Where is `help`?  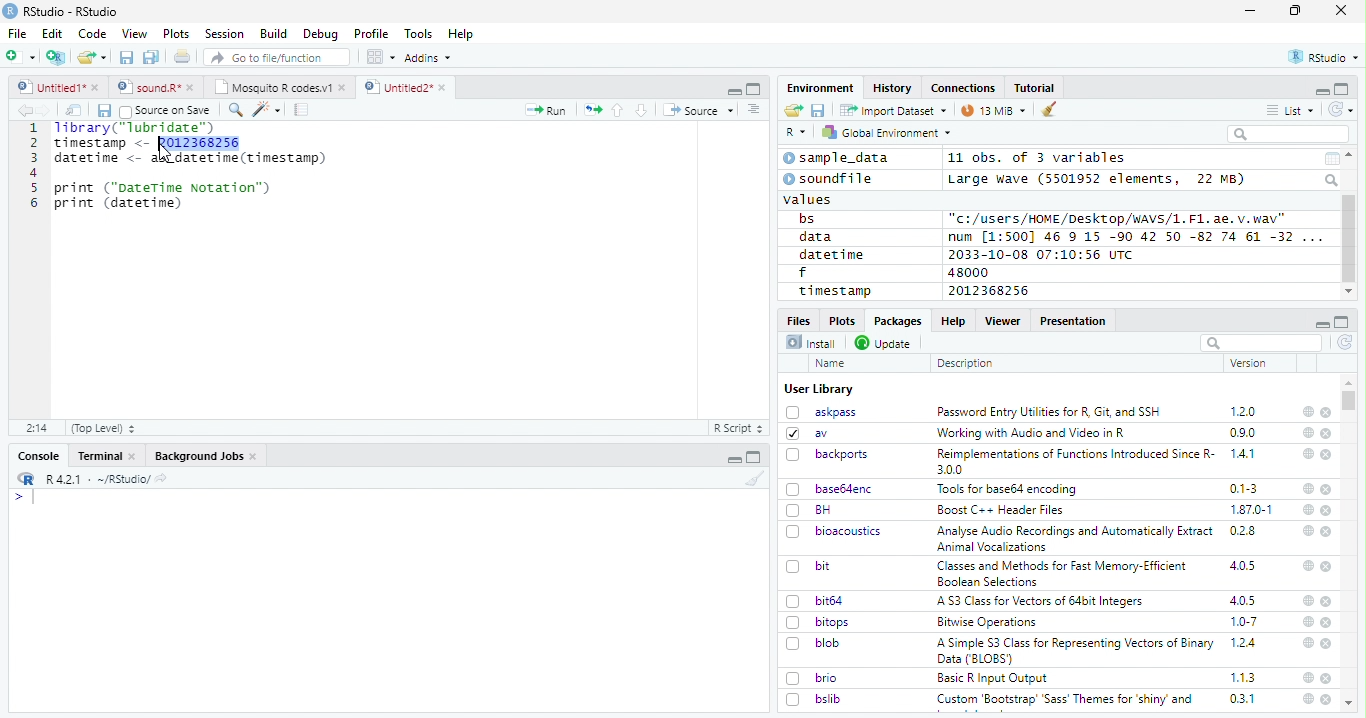 help is located at coordinates (1307, 600).